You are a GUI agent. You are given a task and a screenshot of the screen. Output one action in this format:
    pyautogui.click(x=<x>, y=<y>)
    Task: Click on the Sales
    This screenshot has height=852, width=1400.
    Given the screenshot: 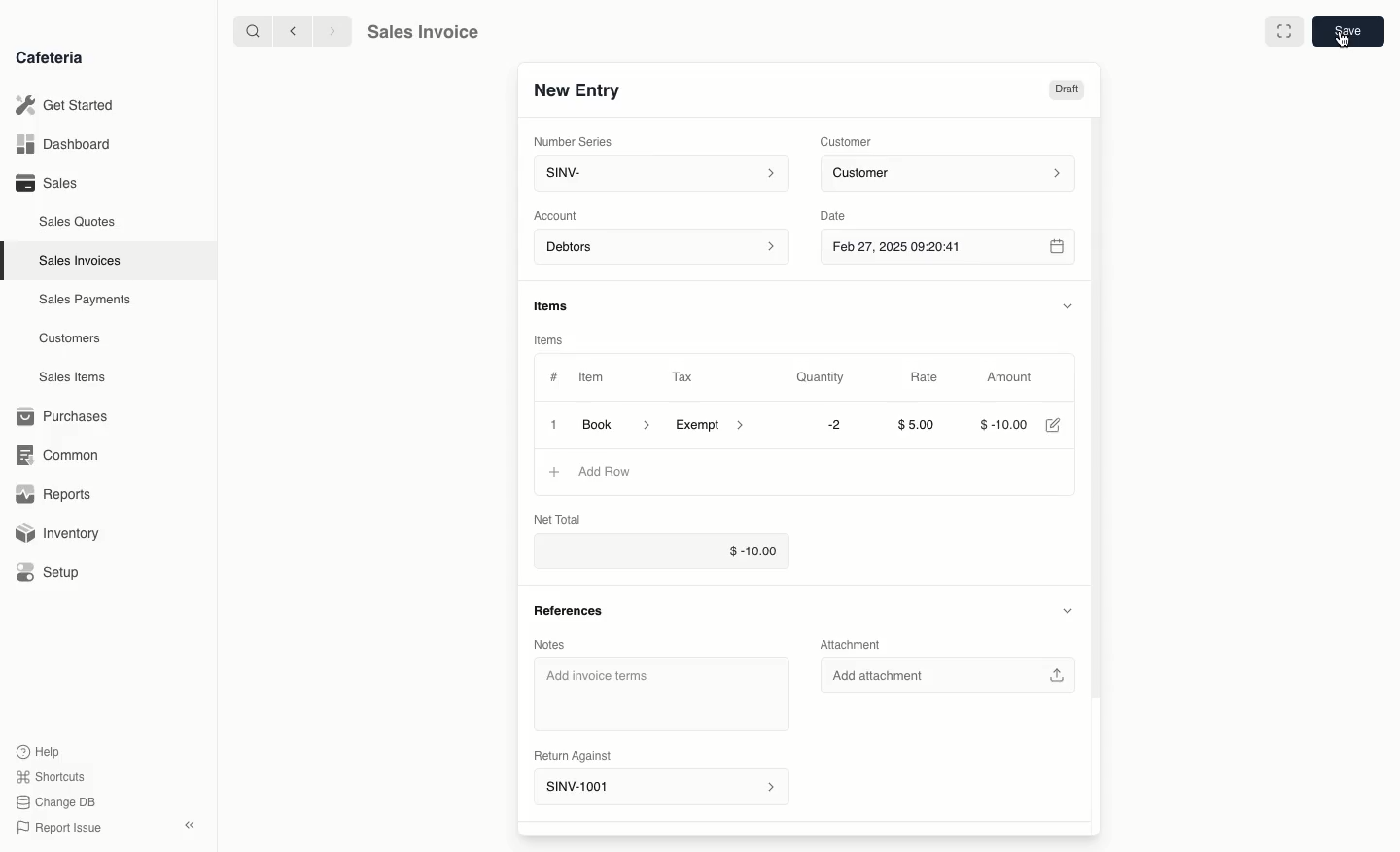 What is the action you would take?
    pyautogui.click(x=50, y=183)
    